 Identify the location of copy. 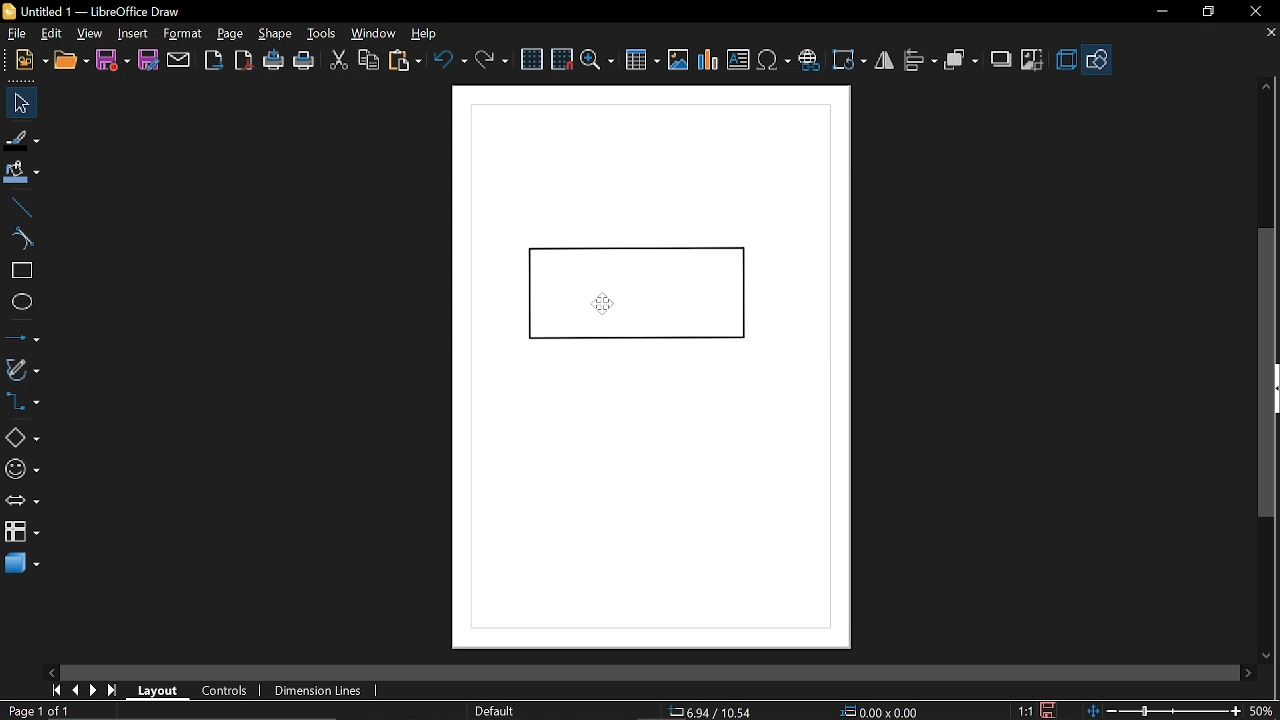
(370, 60).